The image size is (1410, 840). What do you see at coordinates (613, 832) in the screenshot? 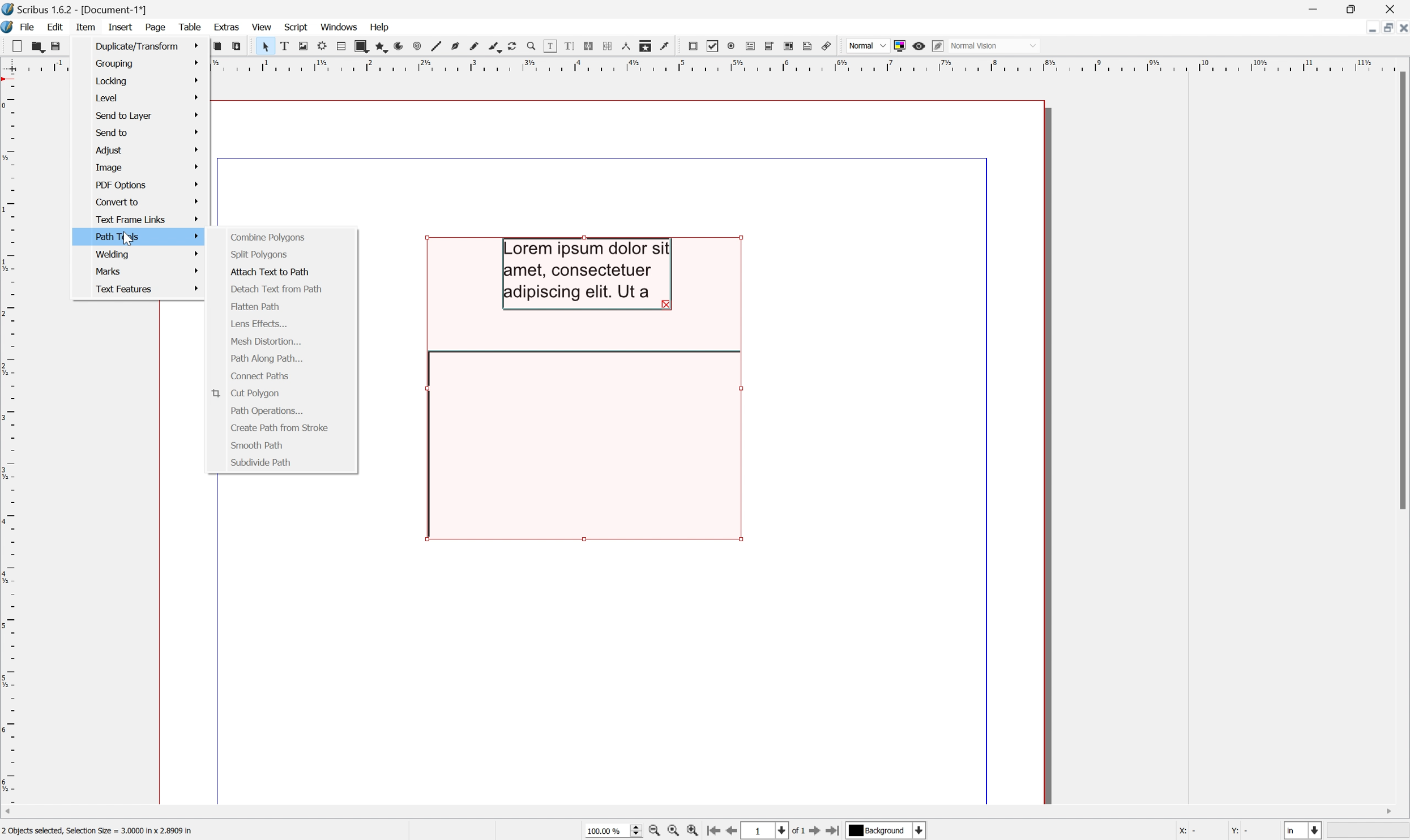
I see `Current zoom level` at bounding box center [613, 832].